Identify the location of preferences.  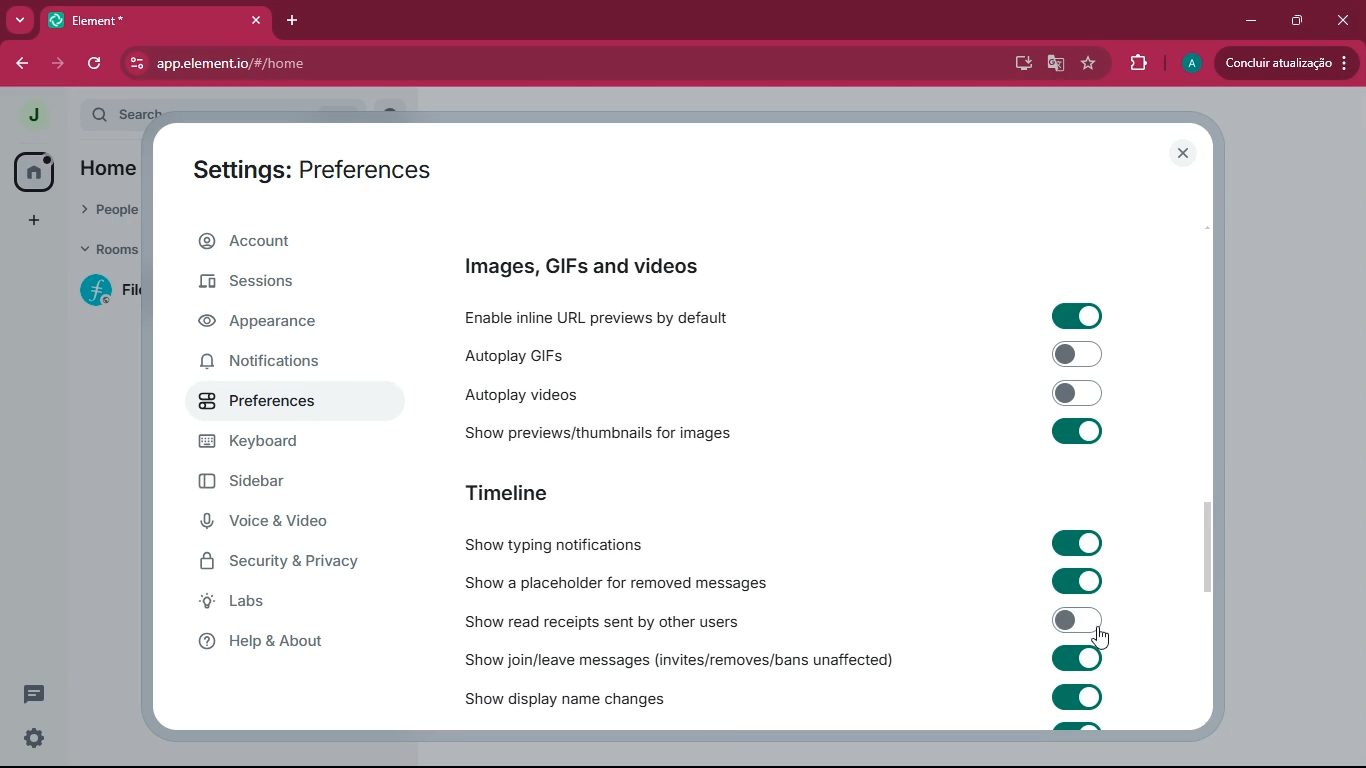
(277, 402).